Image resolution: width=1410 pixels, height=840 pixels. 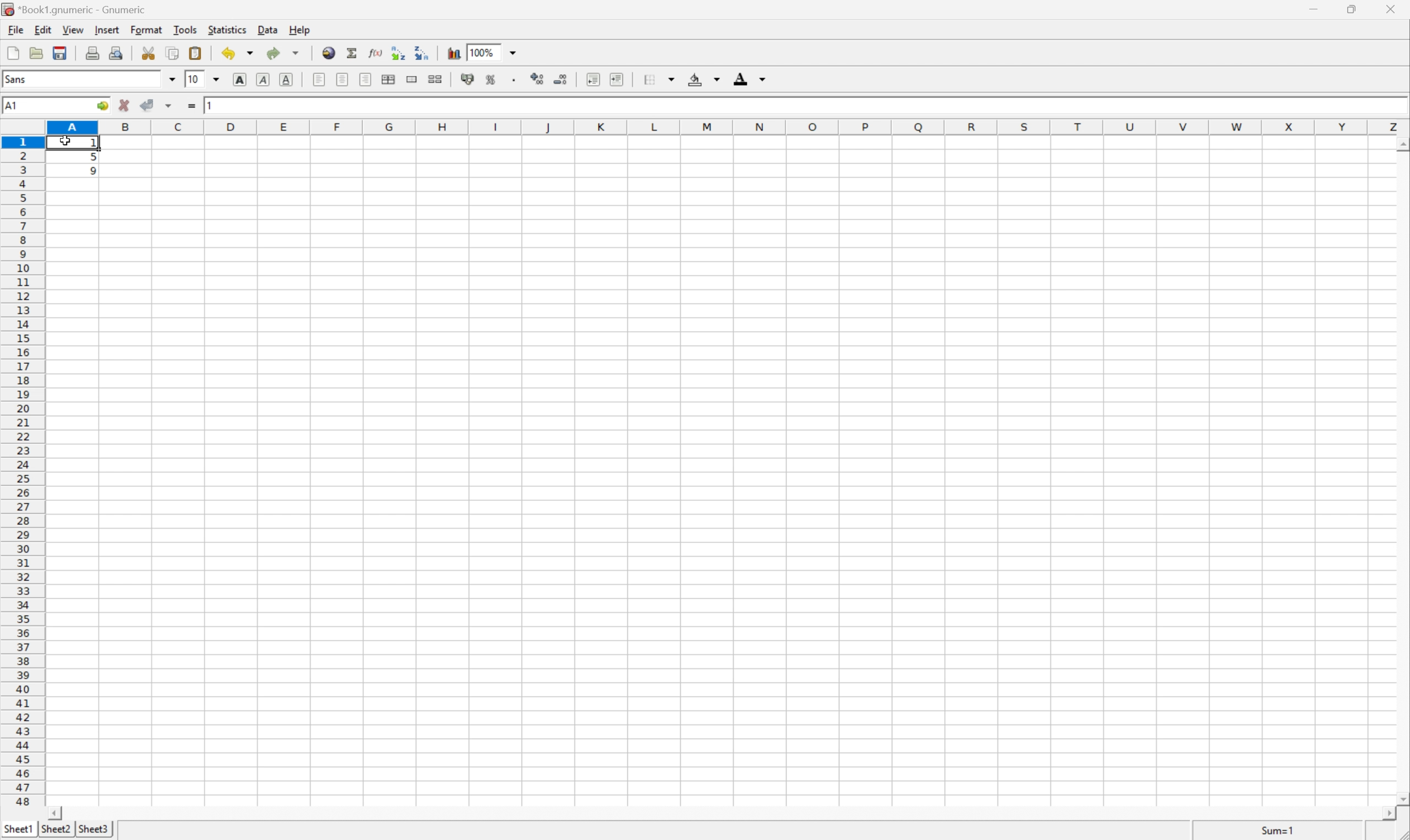 What do you see at coordinates (91, 51) in the screenshot?
I see `print` at bounding box center [91, 51].